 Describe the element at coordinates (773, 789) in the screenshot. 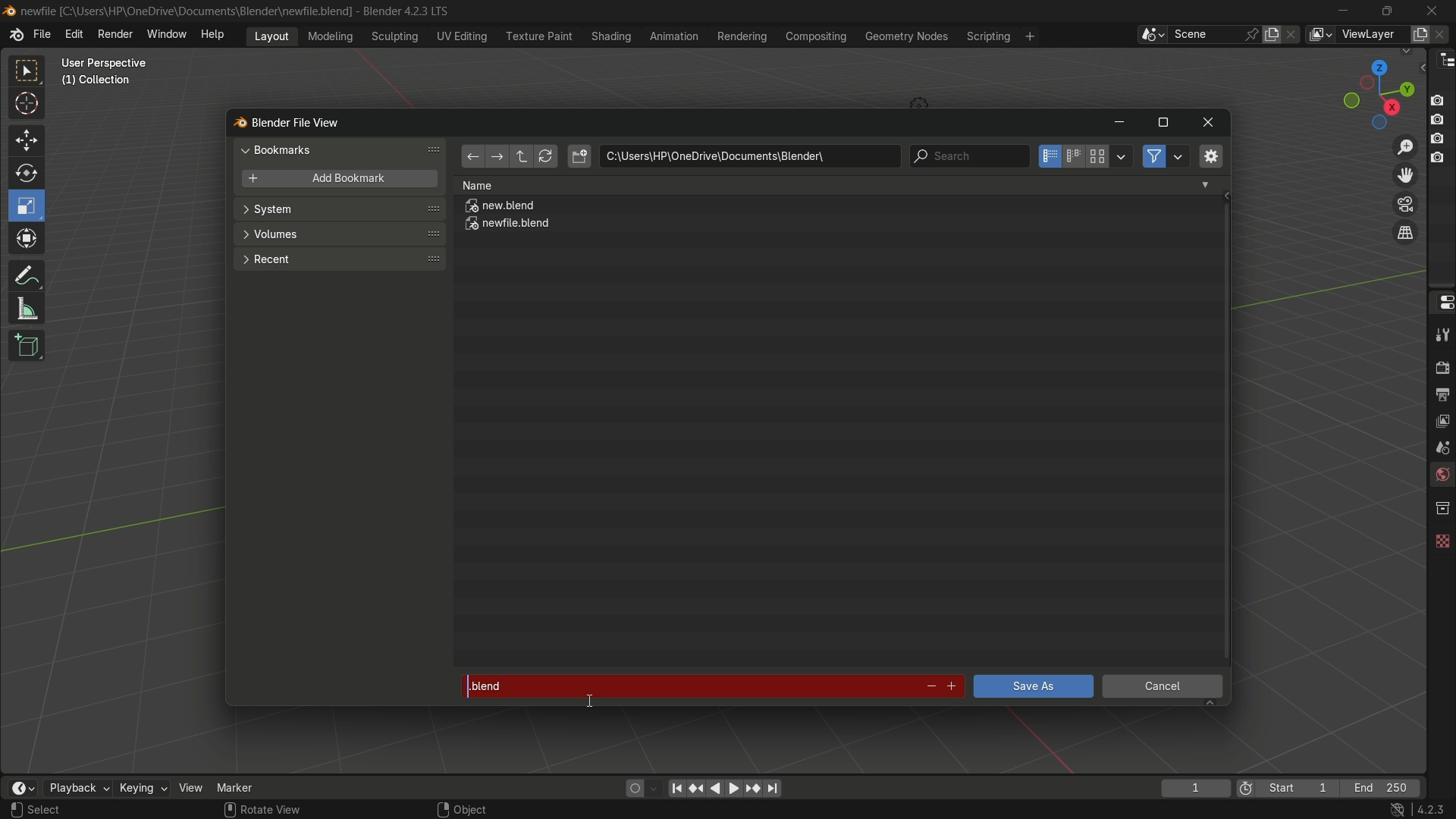

I see `jump to endpoint` at that location.